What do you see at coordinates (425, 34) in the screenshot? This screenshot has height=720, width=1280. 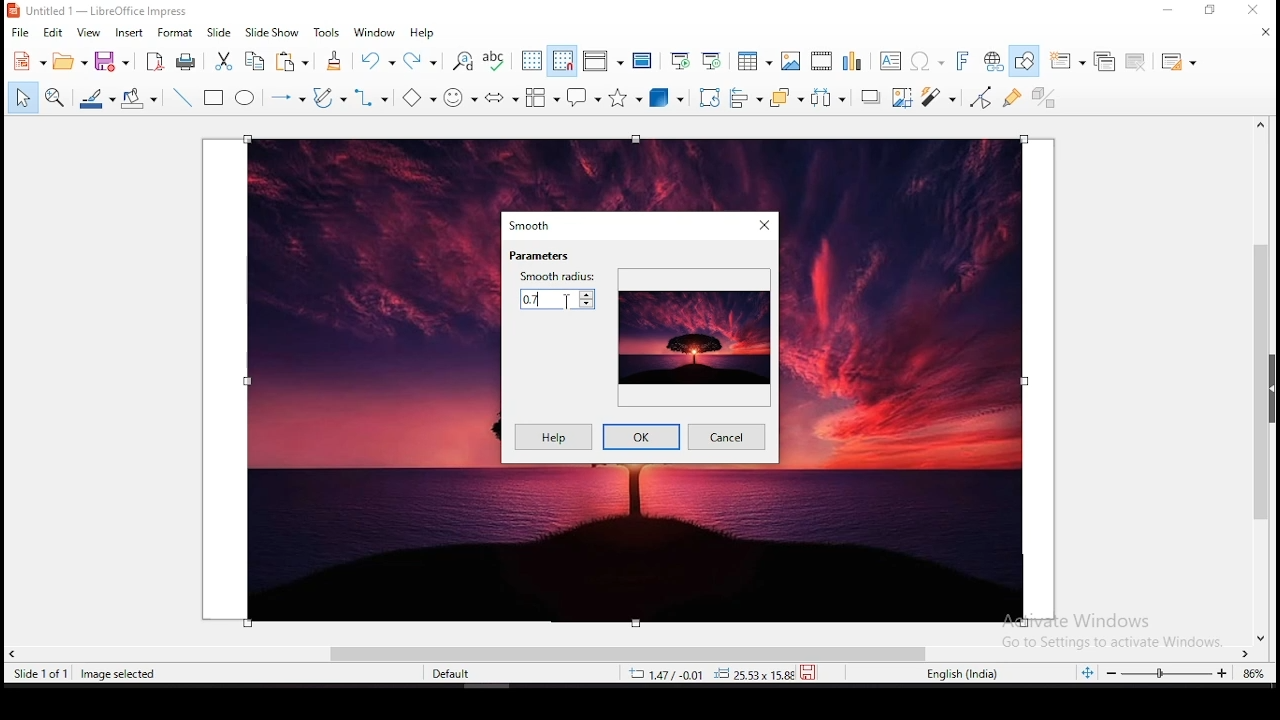 I see `help` at bounding box center [425, 34].